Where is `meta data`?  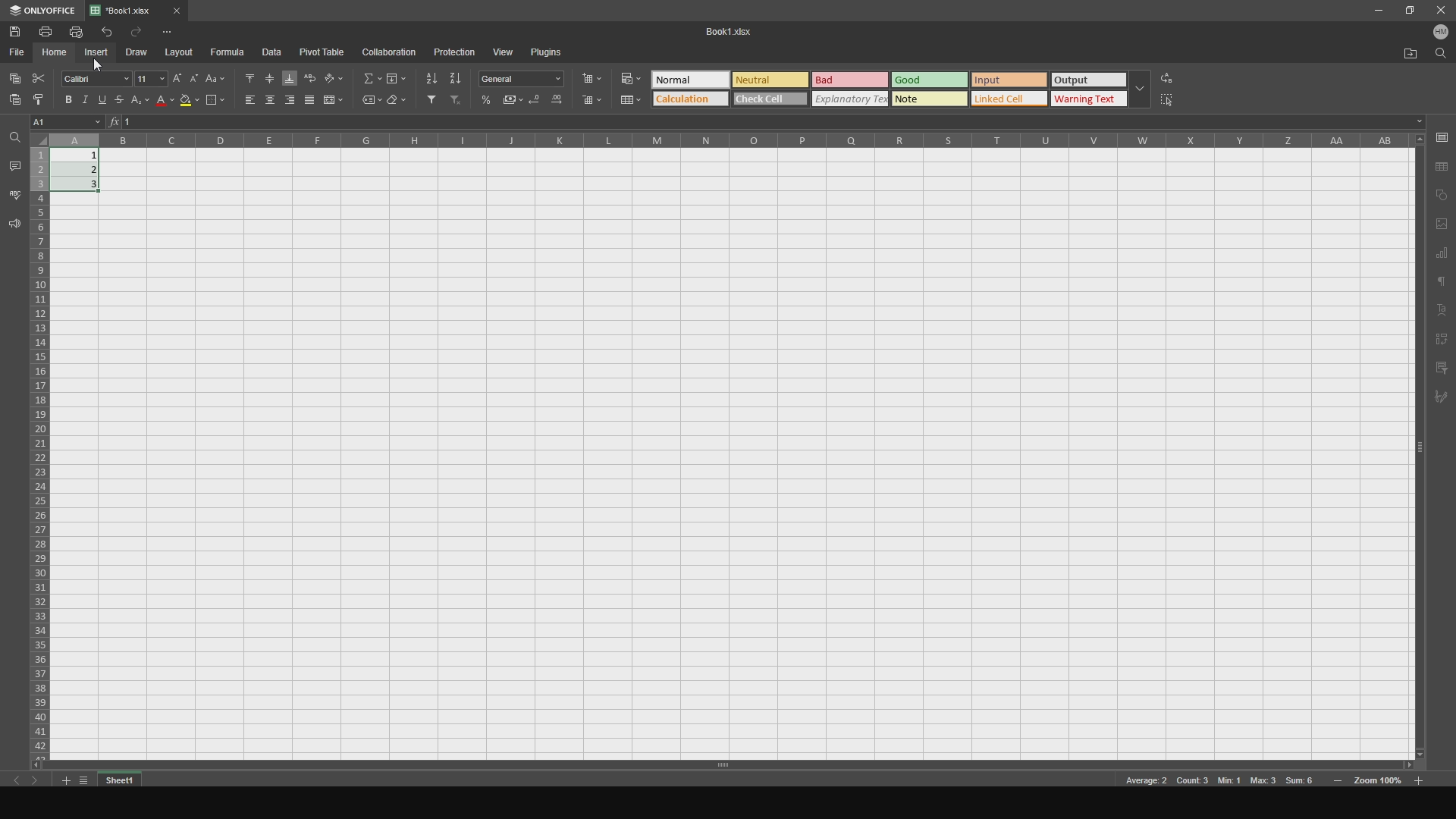
meta data is located at coordinates (1219, 782).